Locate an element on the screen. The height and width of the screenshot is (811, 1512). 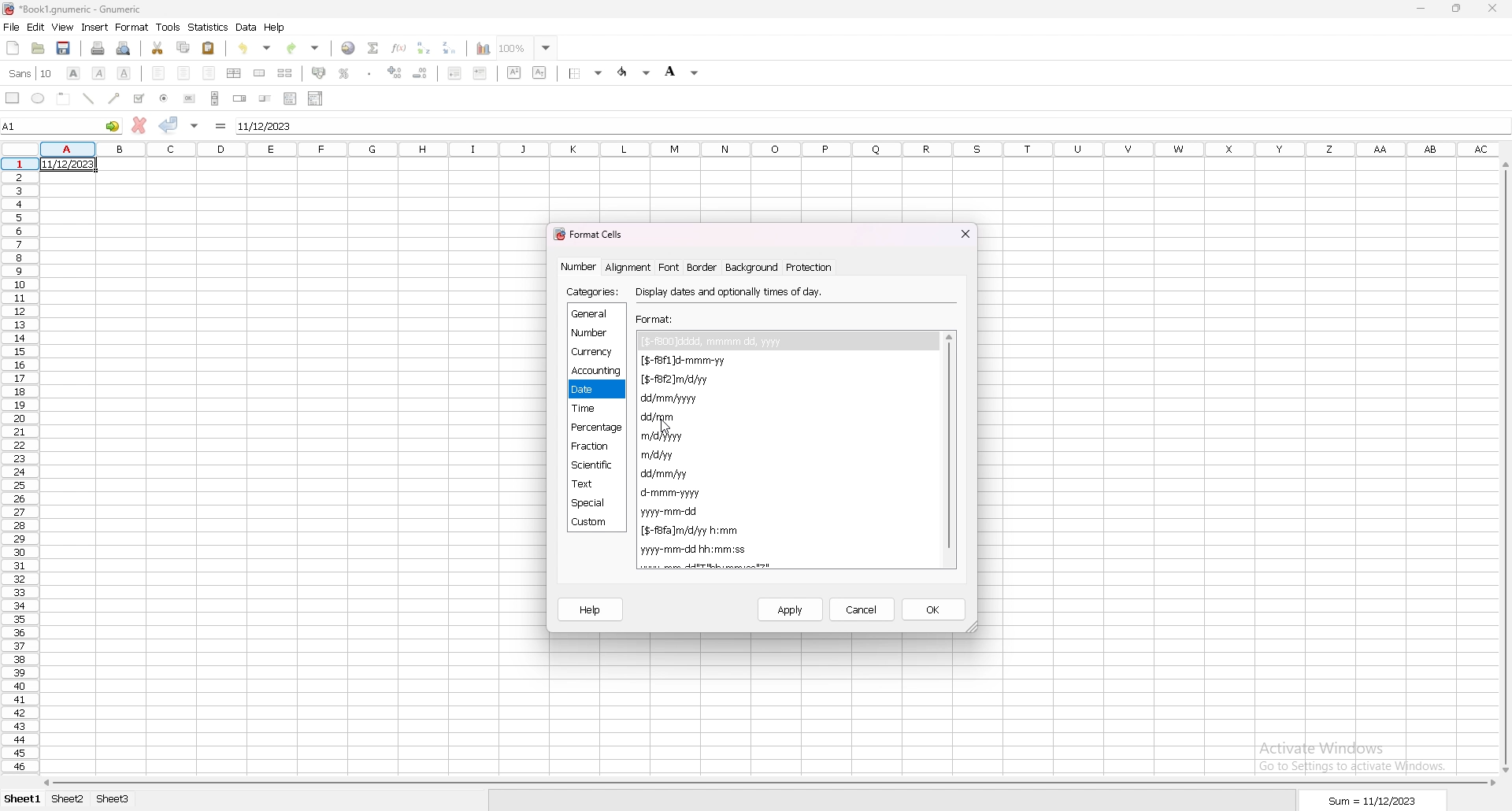
[$-f8f2]m/d/yy is located at coordinates (680, 380).